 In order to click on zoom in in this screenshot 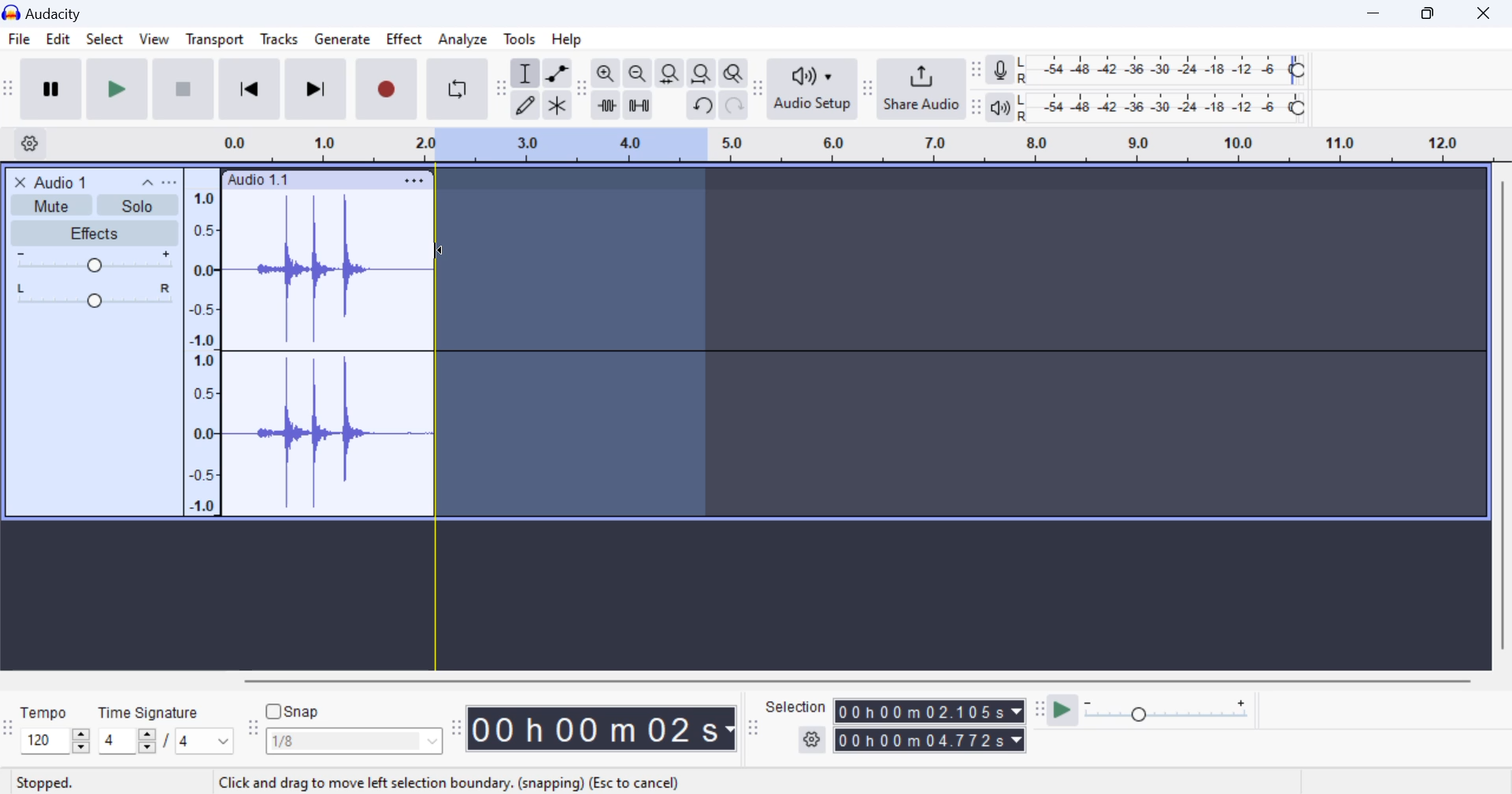, I will do `click(606, 74)`.